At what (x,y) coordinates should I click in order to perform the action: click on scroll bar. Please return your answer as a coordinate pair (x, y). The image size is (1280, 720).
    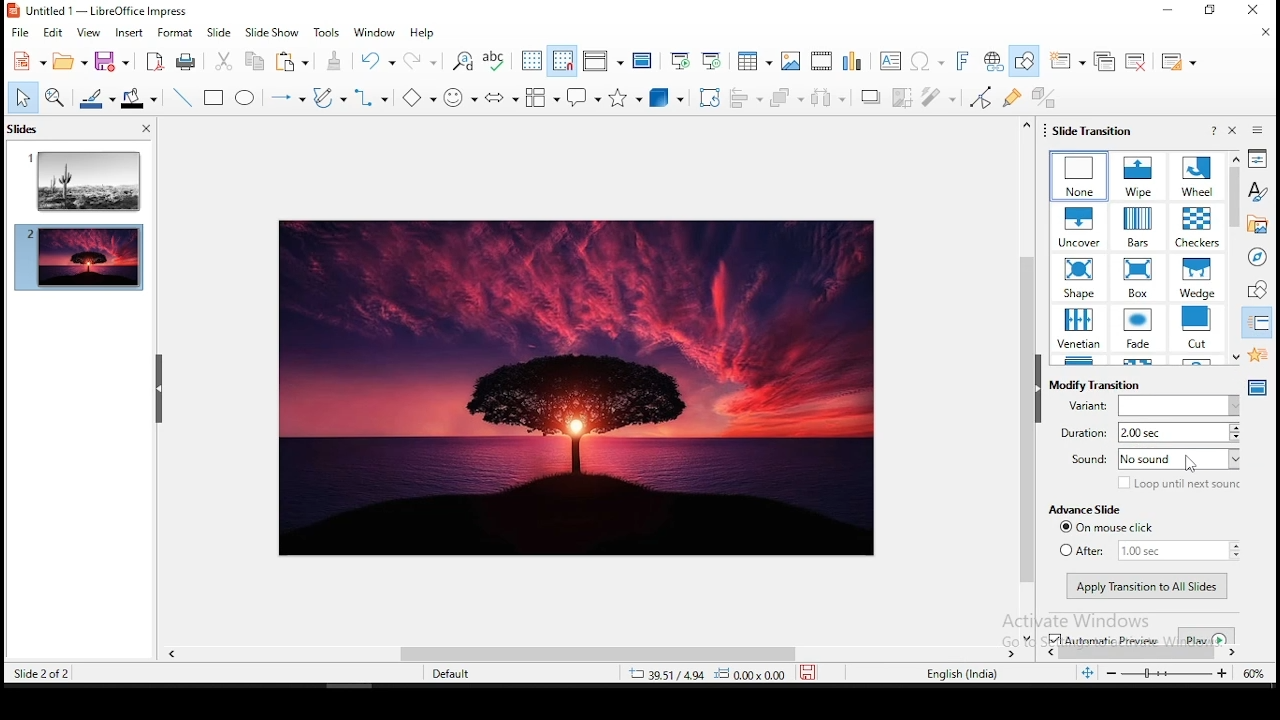
    Looking at the image, I should click on (1237, 255).